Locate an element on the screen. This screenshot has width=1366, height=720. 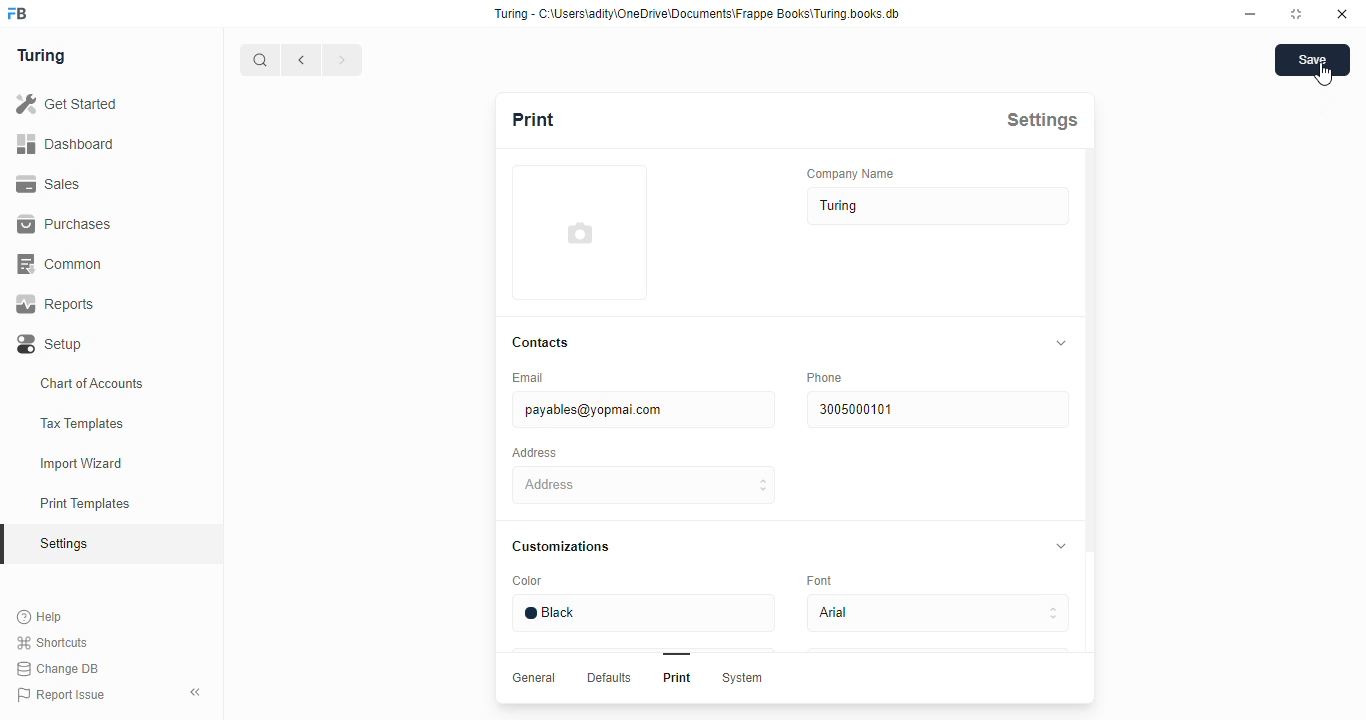
Turing is located at coordinates (934, 208).